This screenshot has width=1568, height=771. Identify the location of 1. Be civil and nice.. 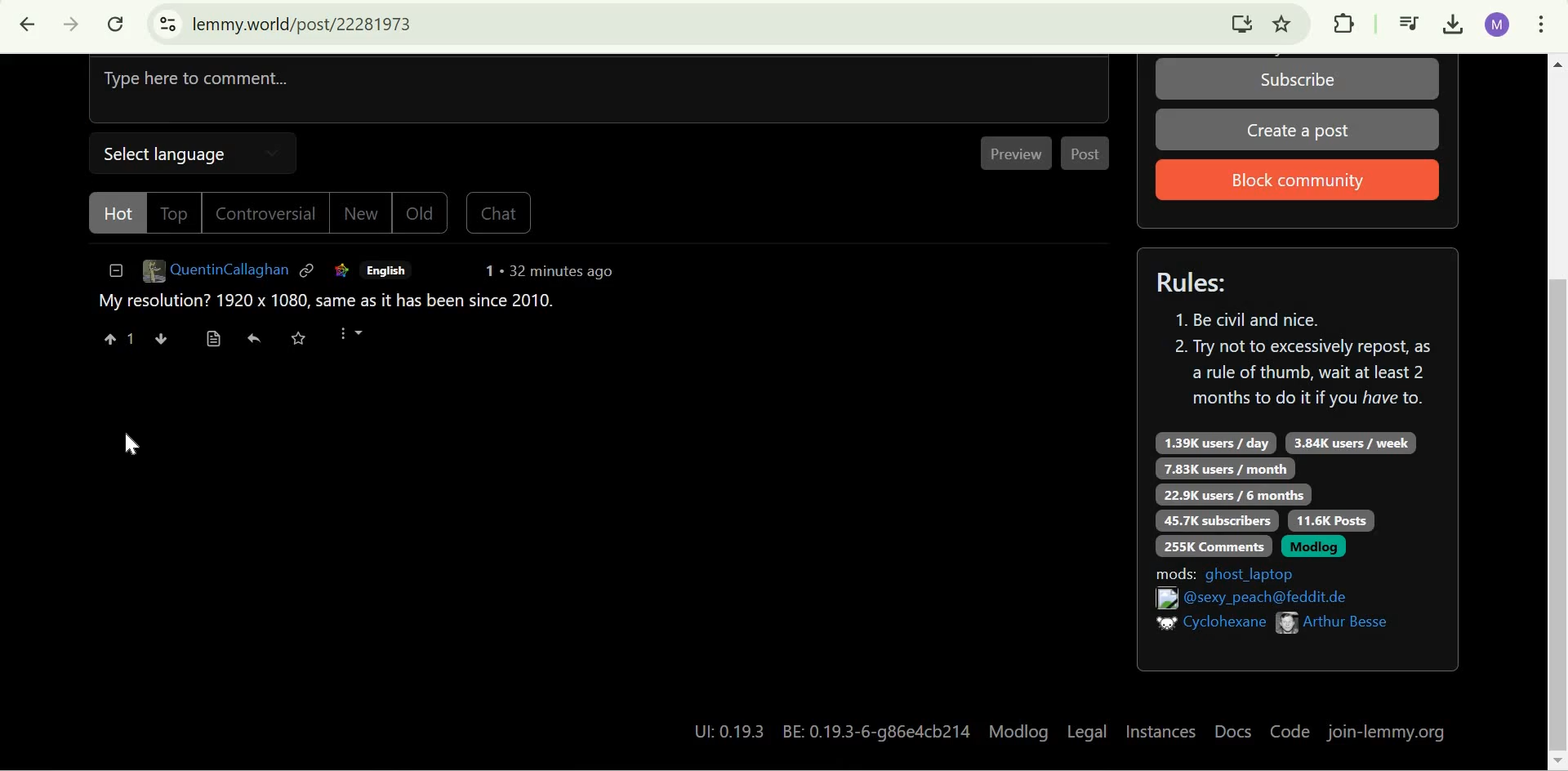
(1256, 322).